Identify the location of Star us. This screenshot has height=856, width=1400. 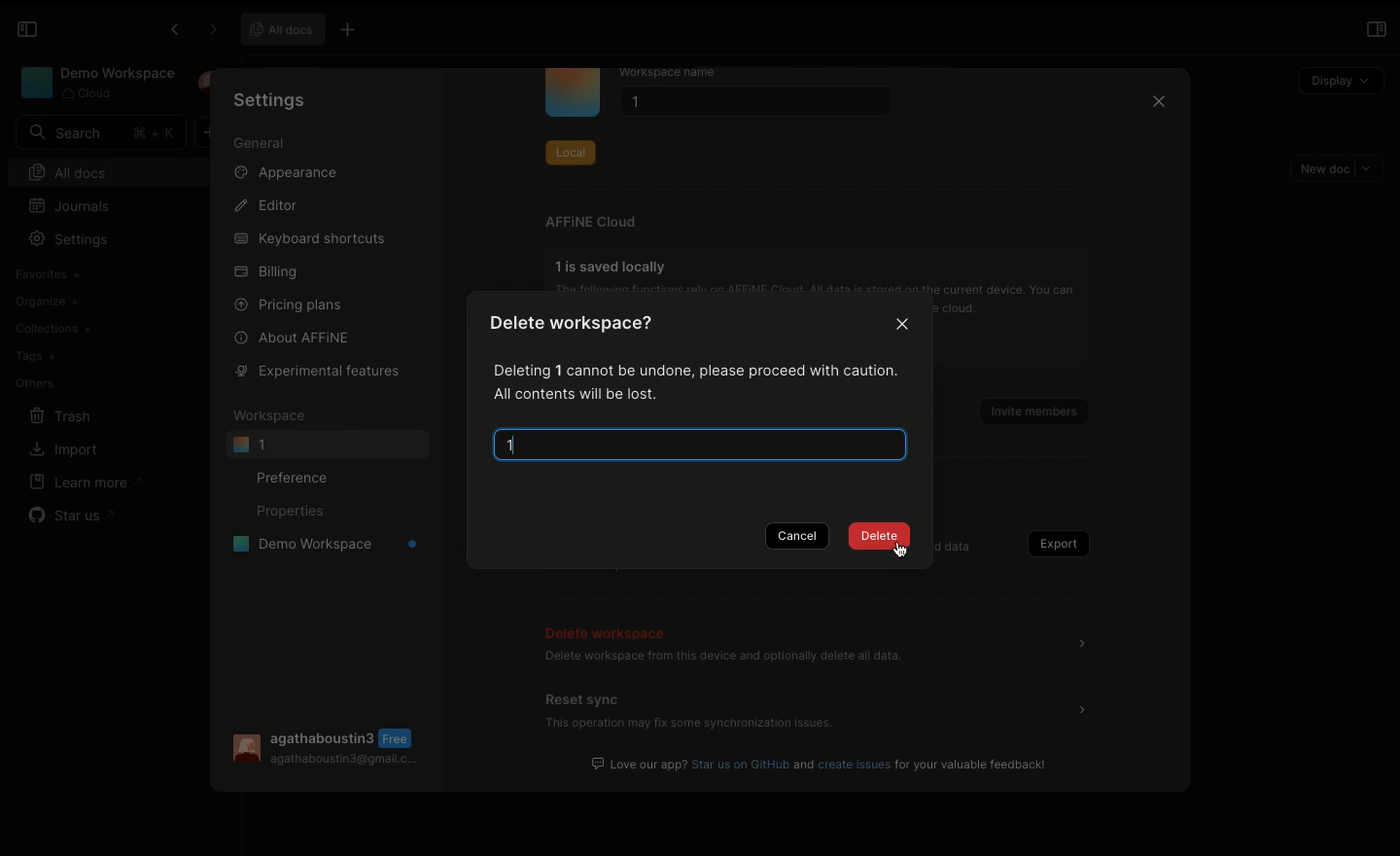
(70, 512).